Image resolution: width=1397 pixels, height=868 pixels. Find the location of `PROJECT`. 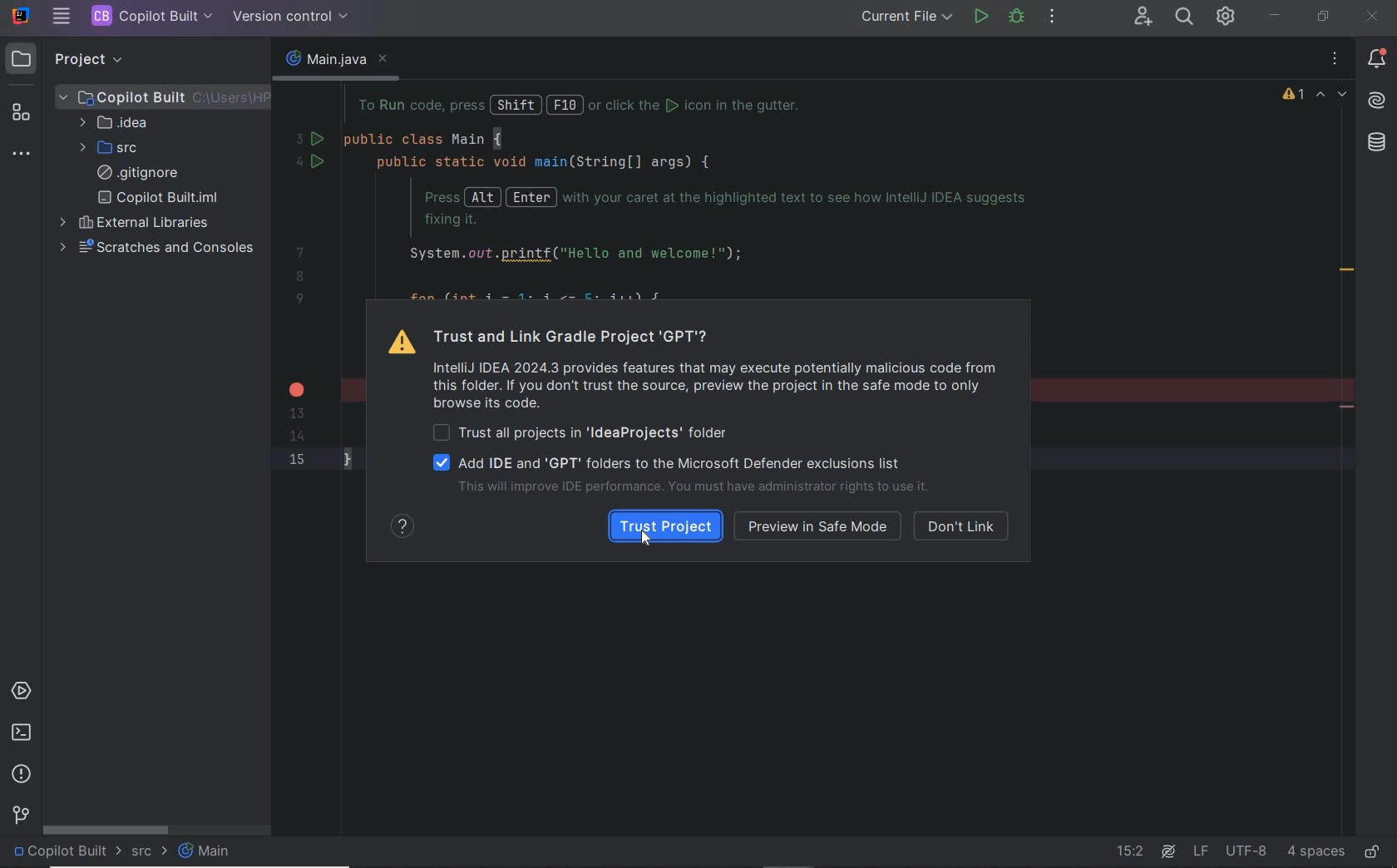

PROJECT is located at coordinates (74, 58).